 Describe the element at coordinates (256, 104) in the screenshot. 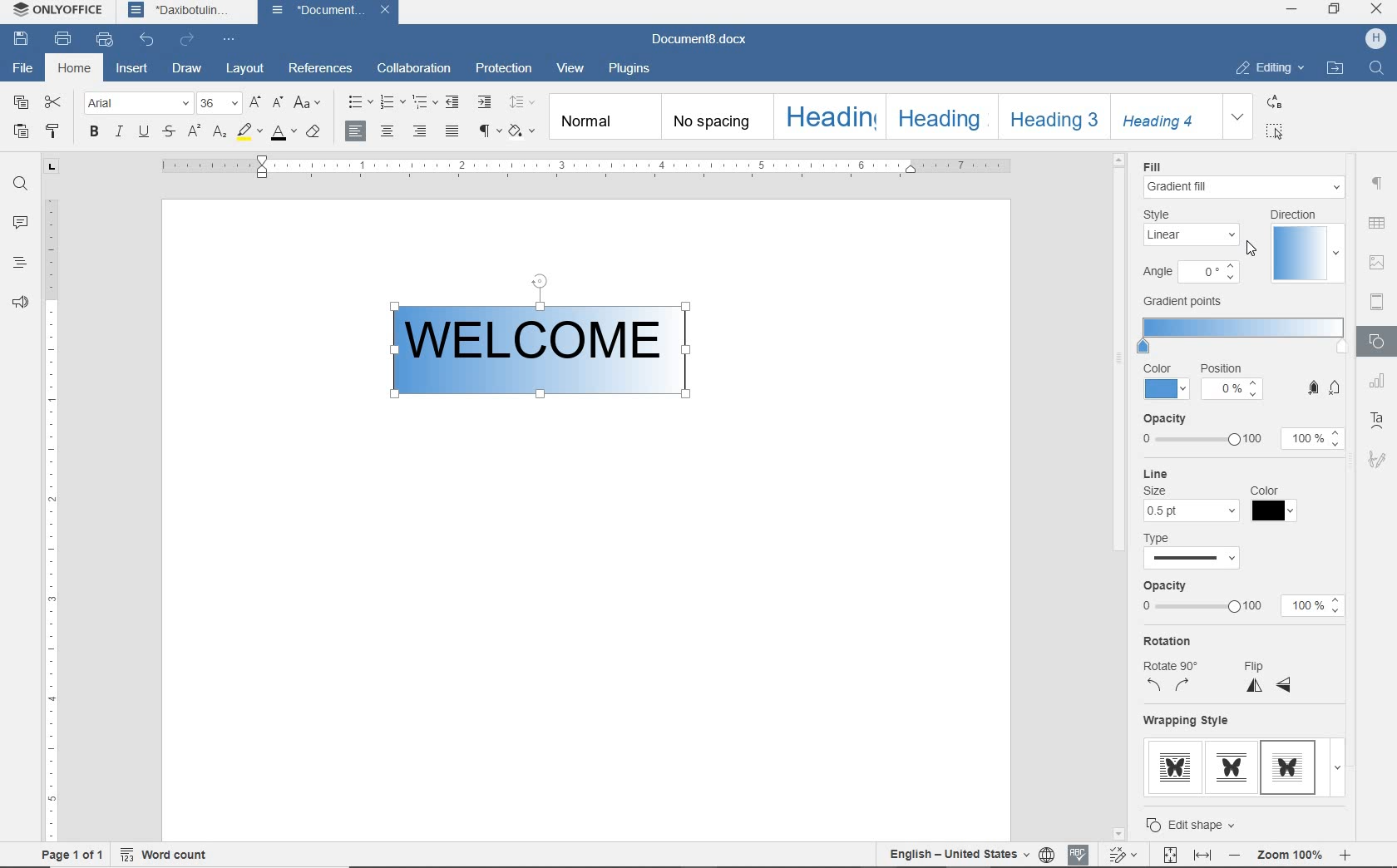

I see `INCREMENT FONT SIZE` at that location.